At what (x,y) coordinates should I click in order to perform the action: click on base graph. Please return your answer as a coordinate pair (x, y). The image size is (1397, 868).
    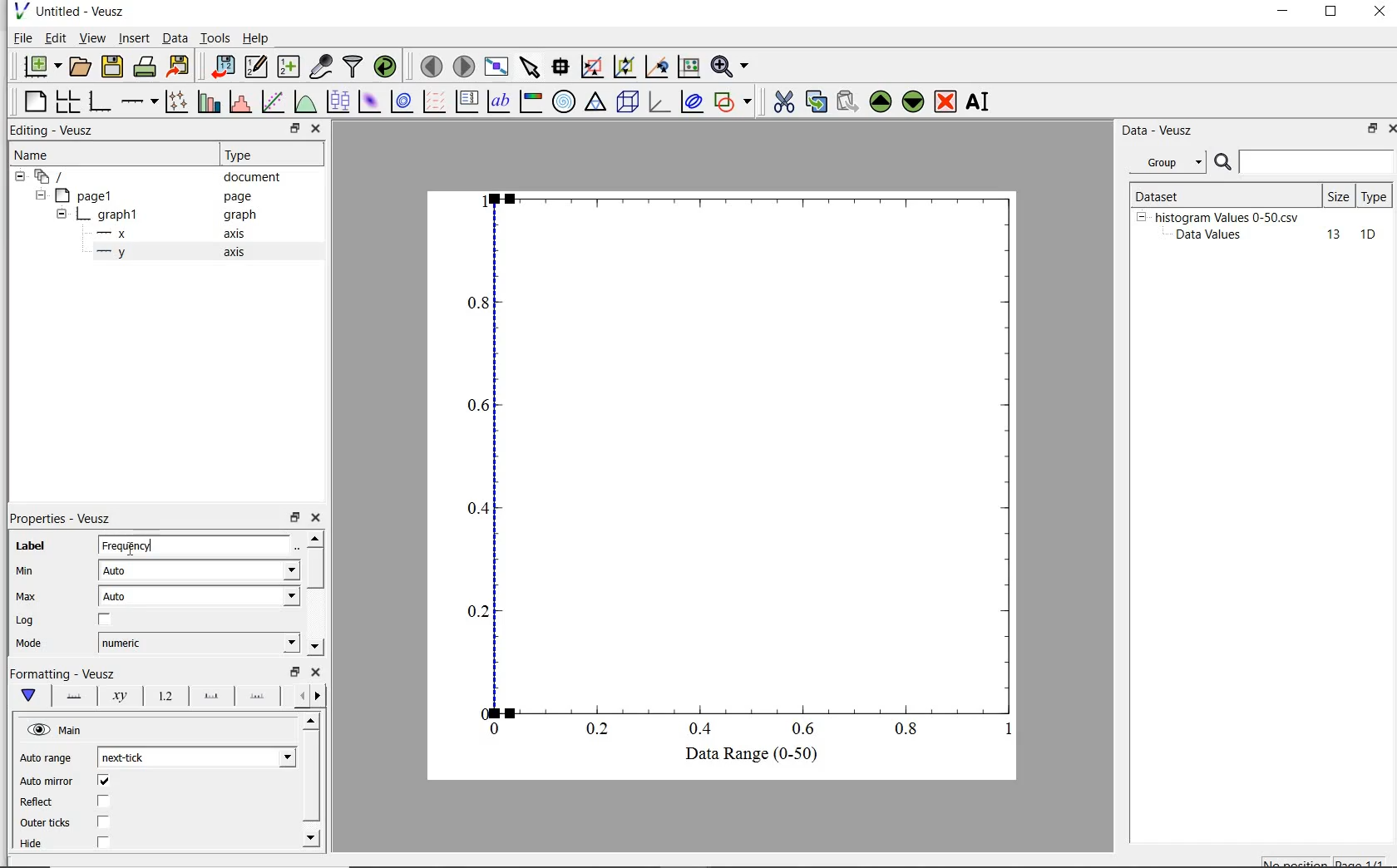
    Looking at the image, I should click on (101, 101).